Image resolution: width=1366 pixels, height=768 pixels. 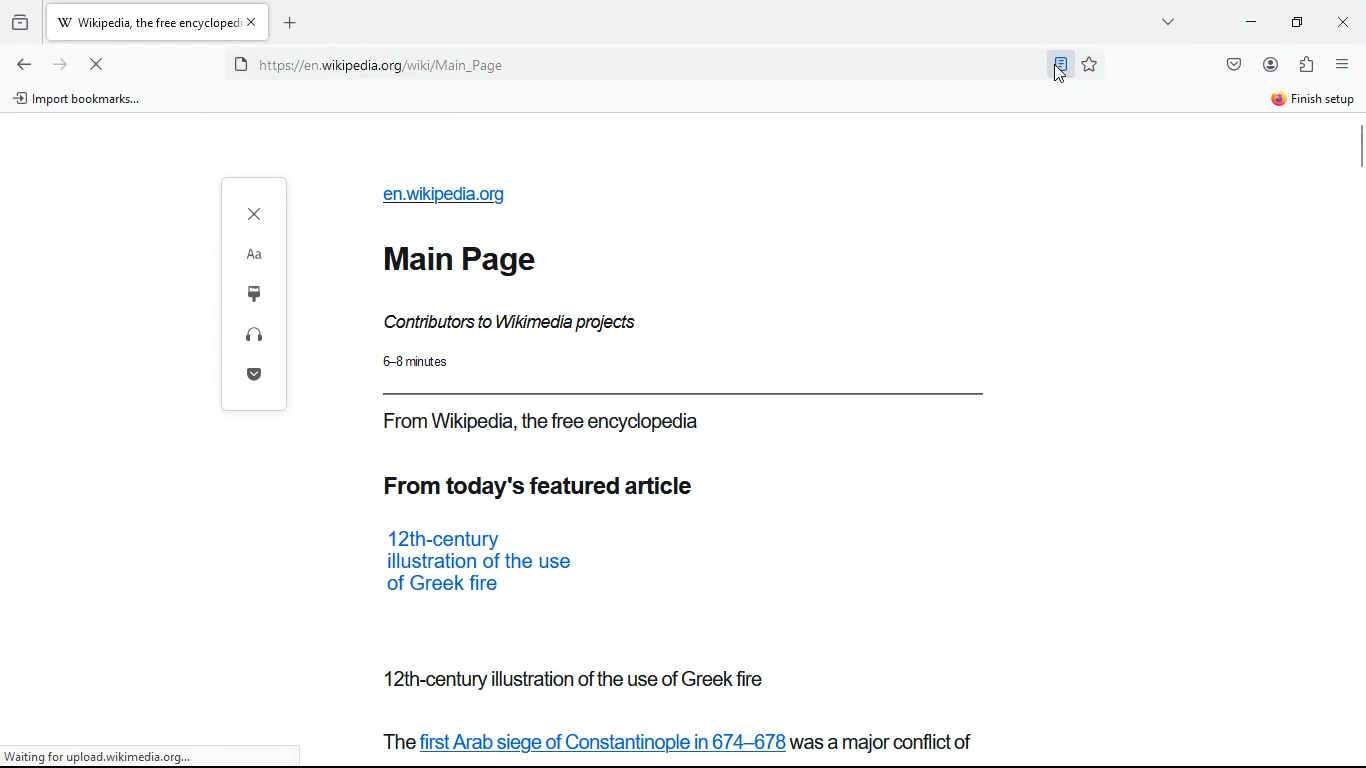 What do you see at coordinates (1305, 63) in the screenshot?
I see `extensions` at bounding box center [1305, 63].